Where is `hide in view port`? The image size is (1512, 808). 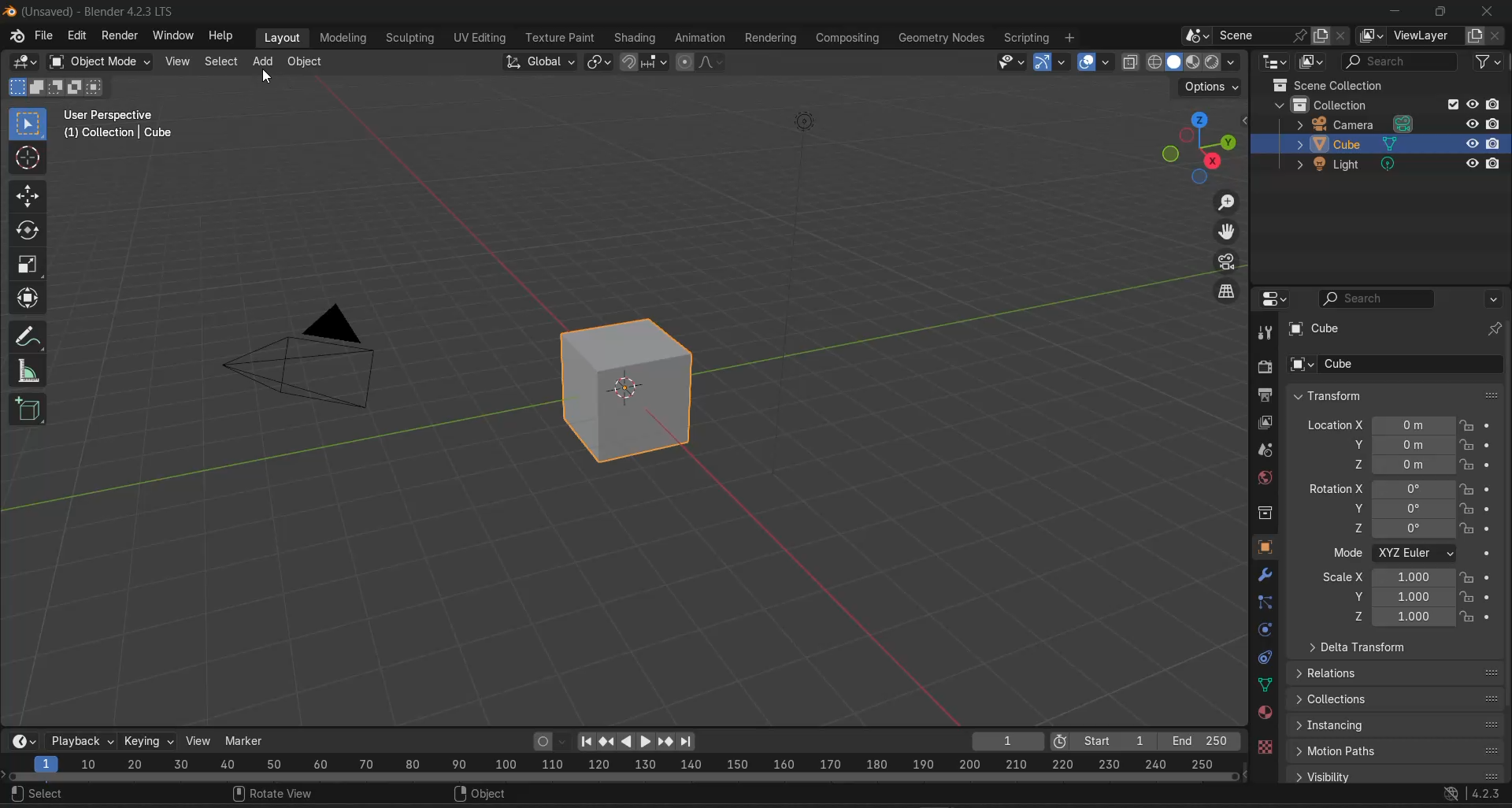 hide in view port is located at coordinates (1469, 164).